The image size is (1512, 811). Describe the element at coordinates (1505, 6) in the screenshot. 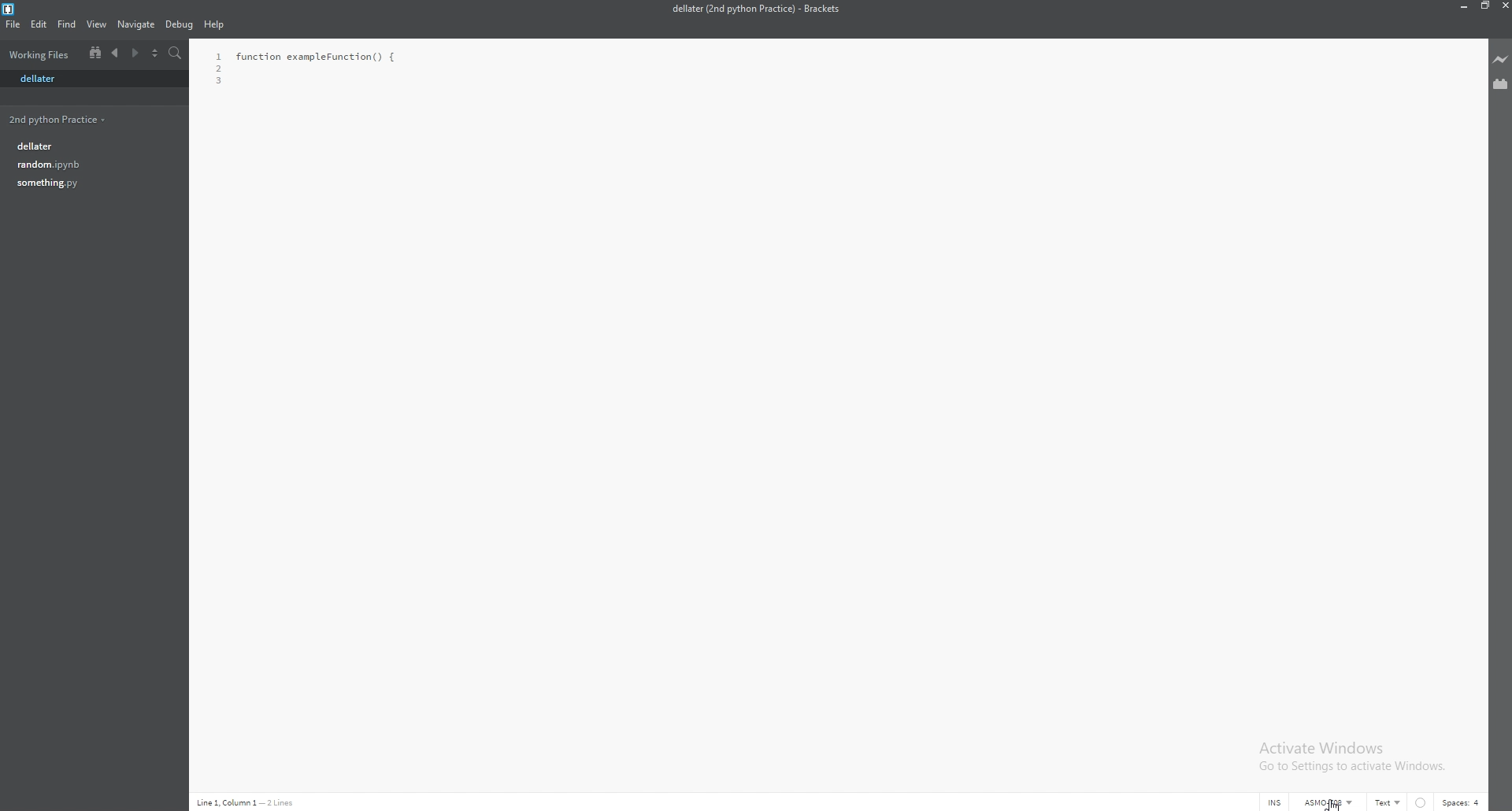

I see `close` at that location.